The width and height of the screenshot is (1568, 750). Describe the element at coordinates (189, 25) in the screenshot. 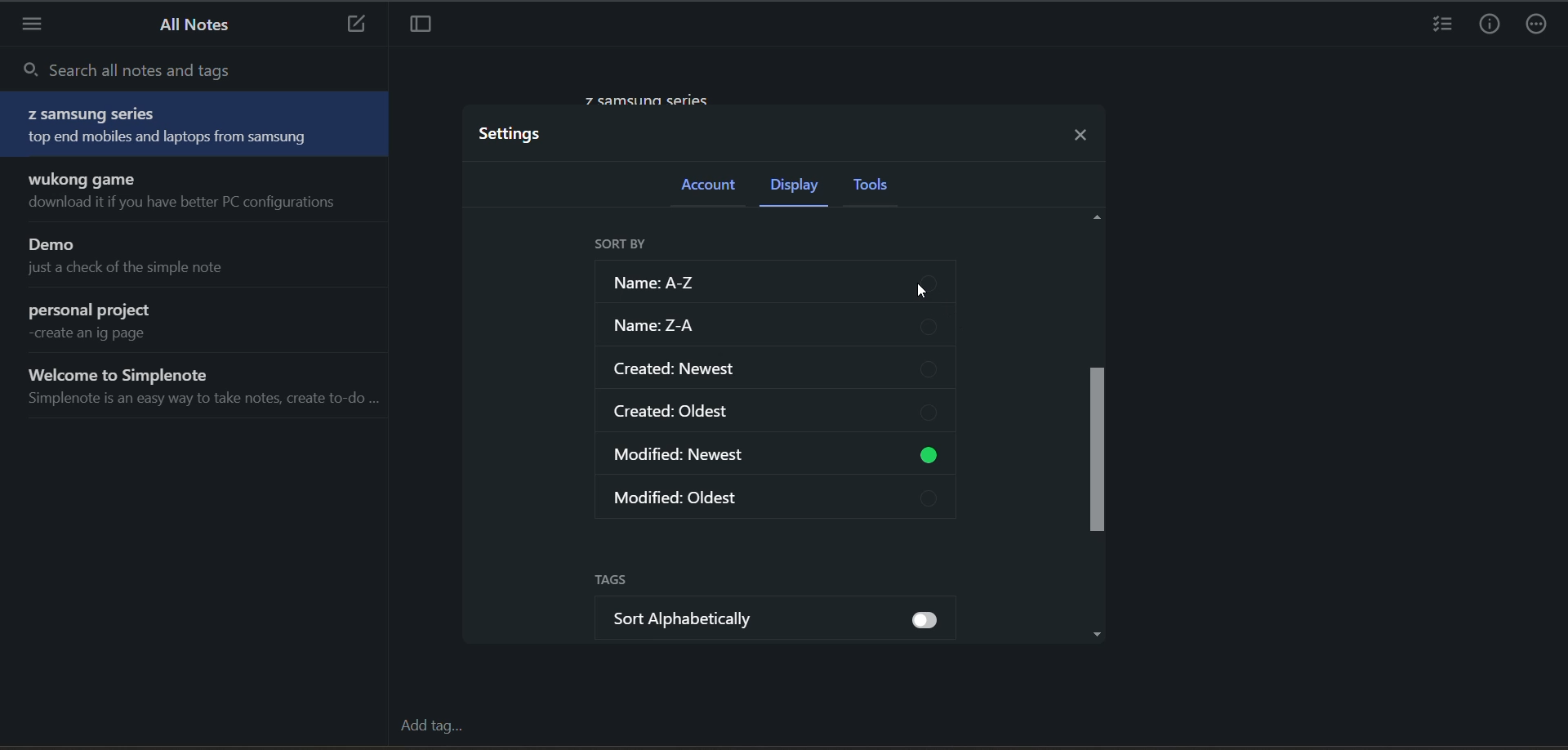

I see `all notes` at that location.